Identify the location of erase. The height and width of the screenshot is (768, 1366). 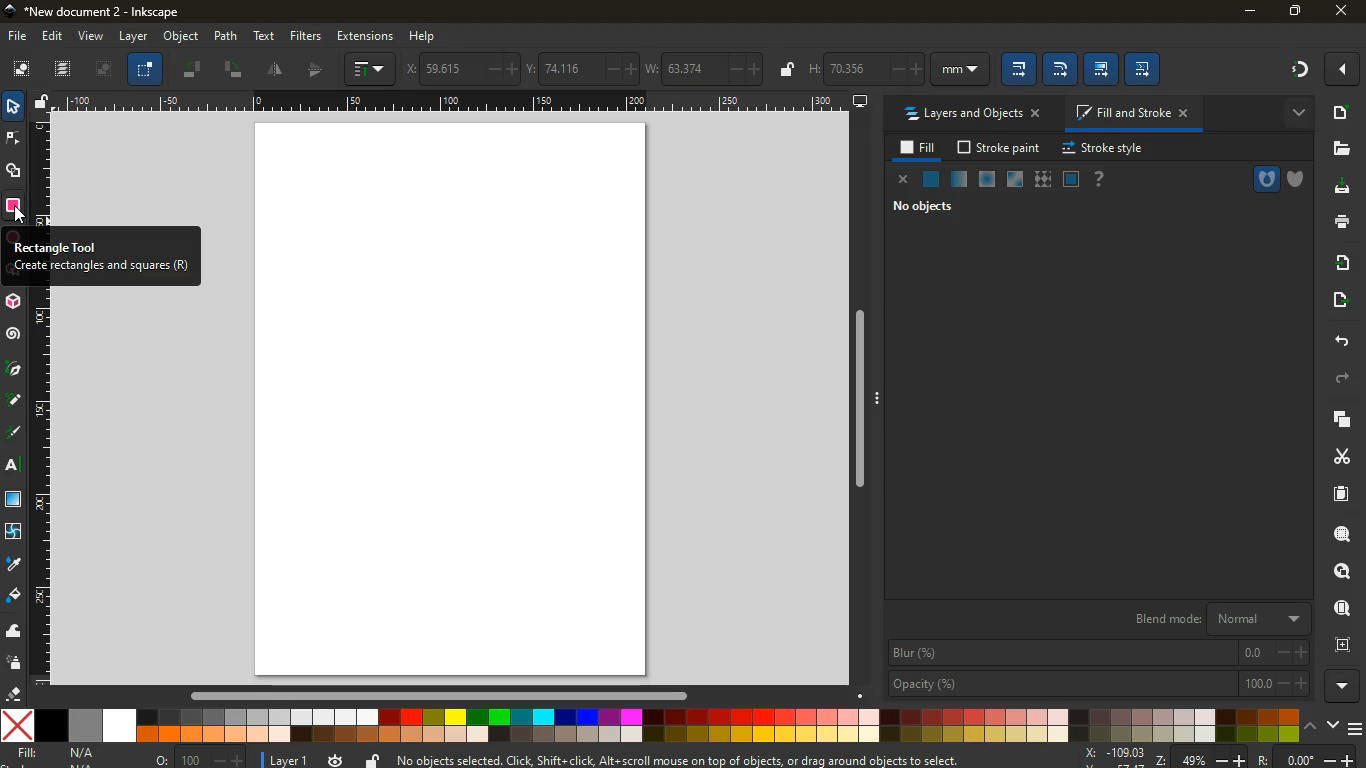
(13, 693).